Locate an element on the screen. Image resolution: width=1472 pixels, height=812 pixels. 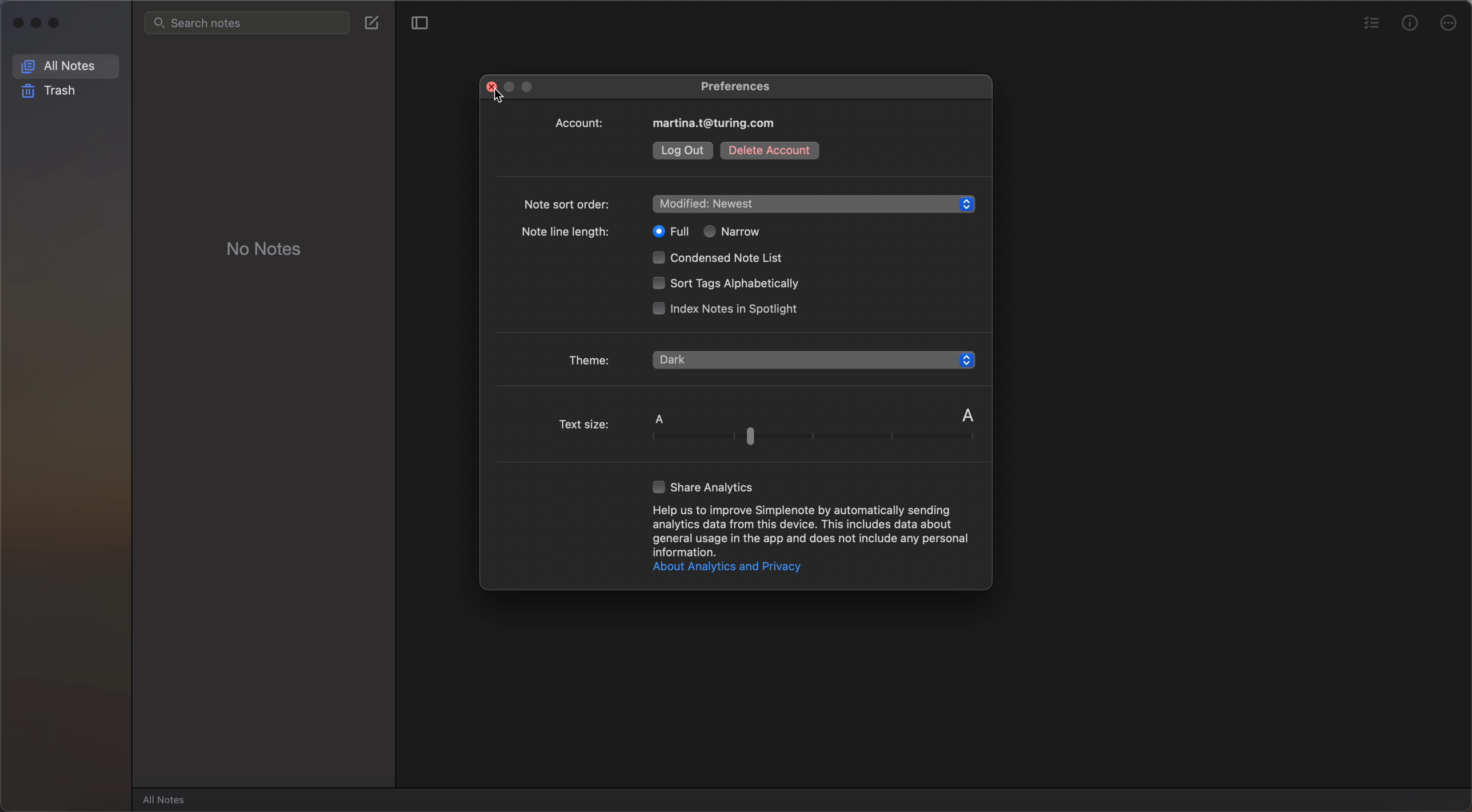
narrow is located at coordinates (733, 231).